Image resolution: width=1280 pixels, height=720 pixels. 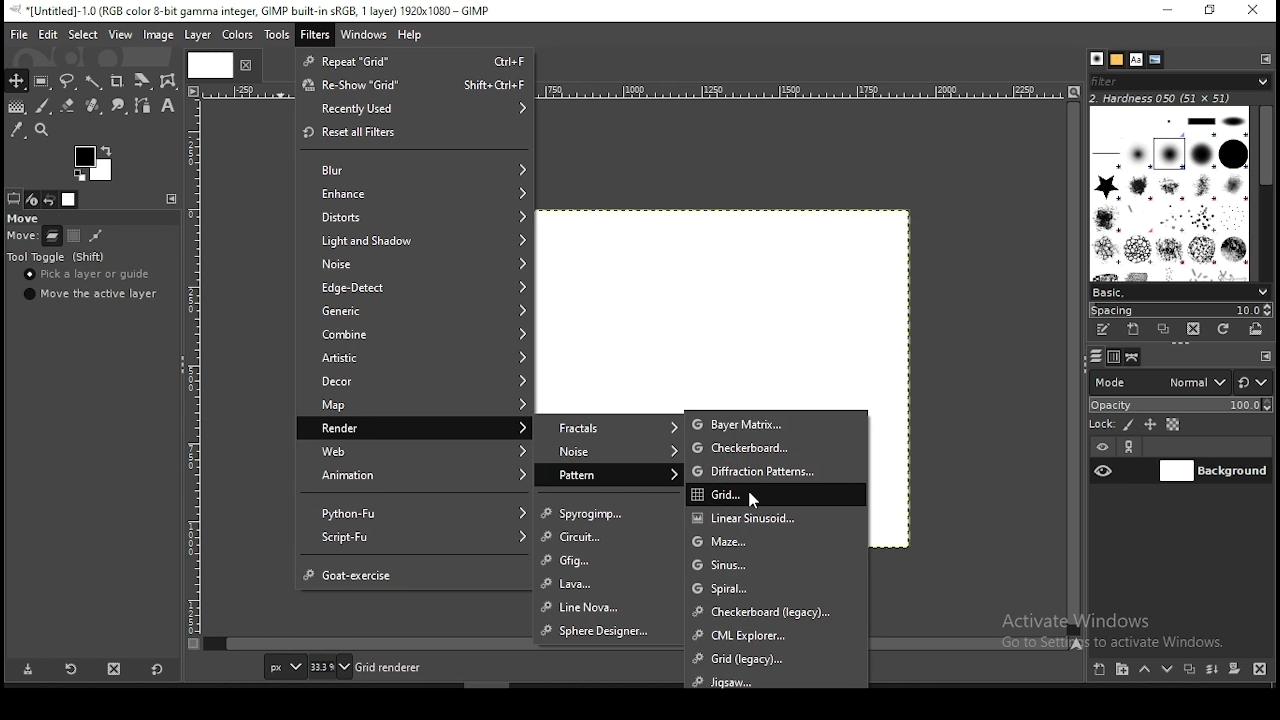 I want to click on recently used, so click(x=416, y=109).